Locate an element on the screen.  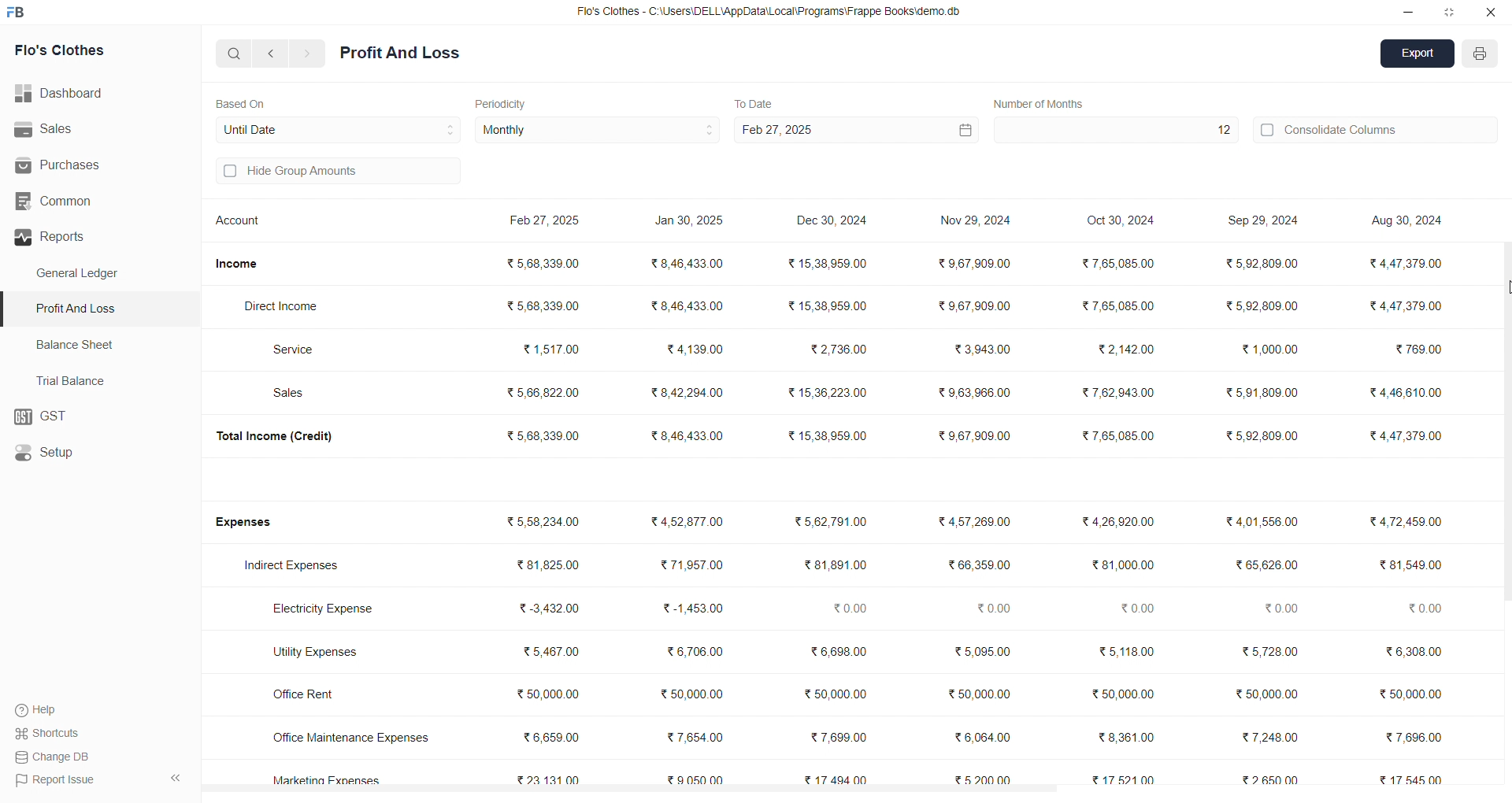
Oct 30, 2024 is located at coordinates (1123, 221).